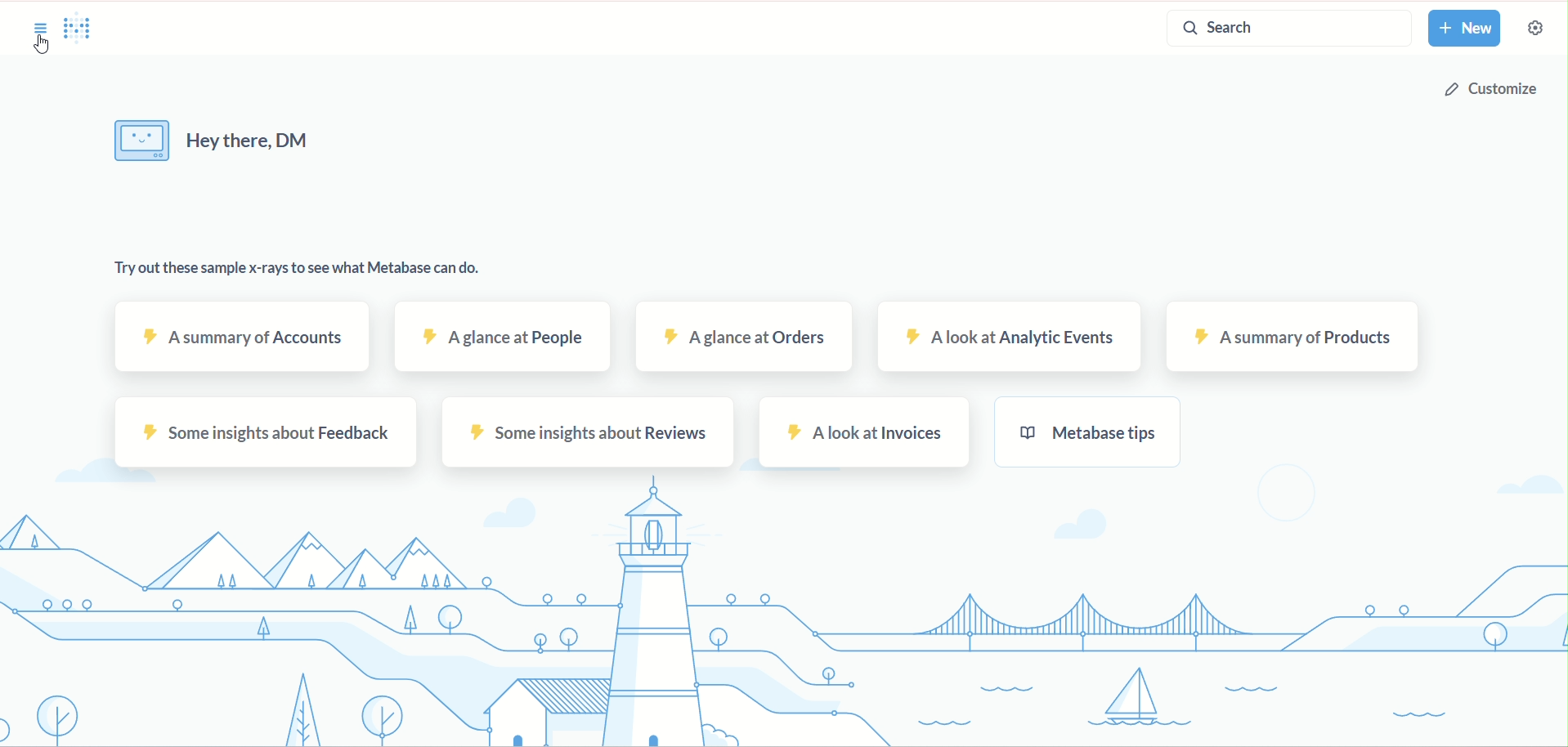  What do you see at coordinates (262, 434) in the screenshot?
I see `some insights about feedback` at bounding box center [262, 434].